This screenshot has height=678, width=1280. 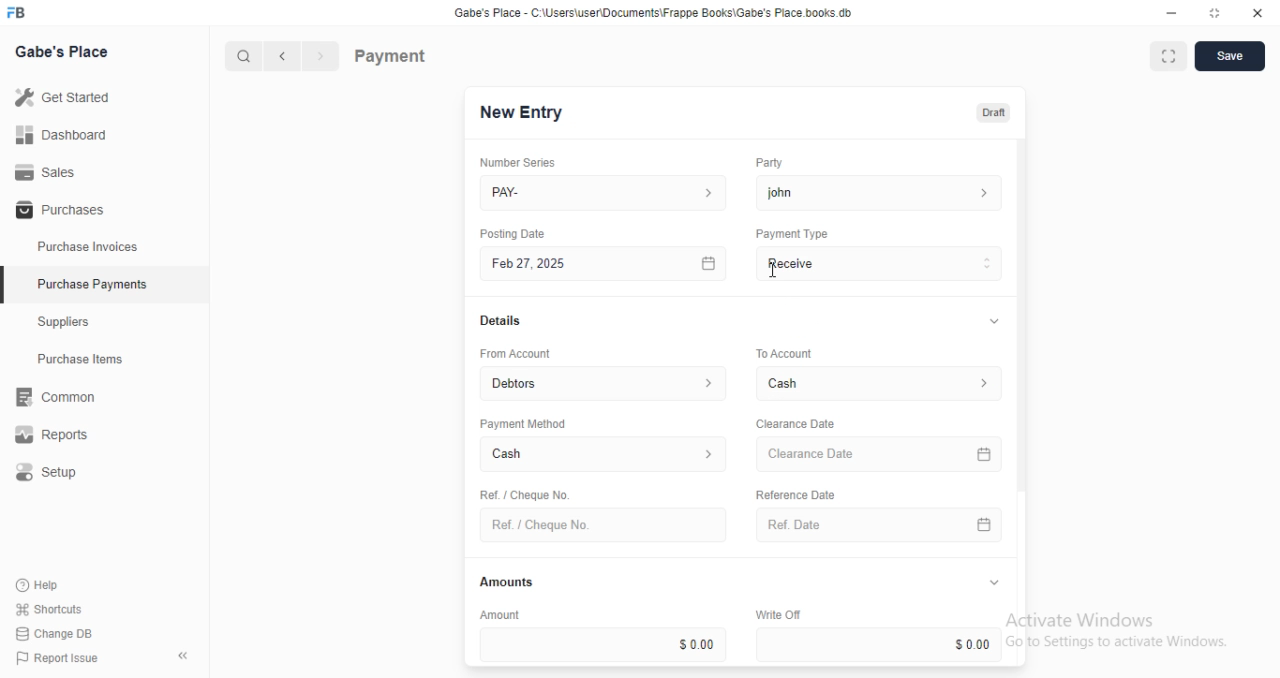 I want to click on $0.00, so click(x=603, y=644).